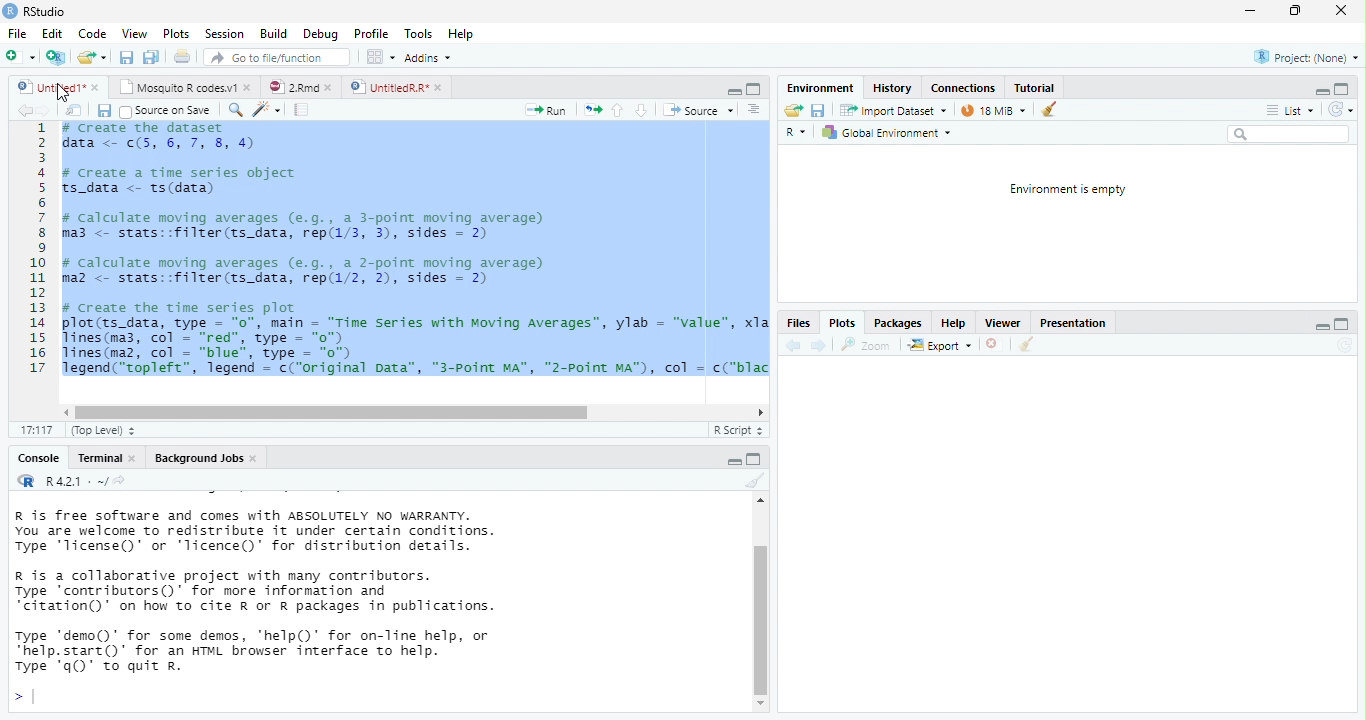 Image resolution: width=1366 pixels, height=720 pixels. I want to click on show in window, so click(75, 110).